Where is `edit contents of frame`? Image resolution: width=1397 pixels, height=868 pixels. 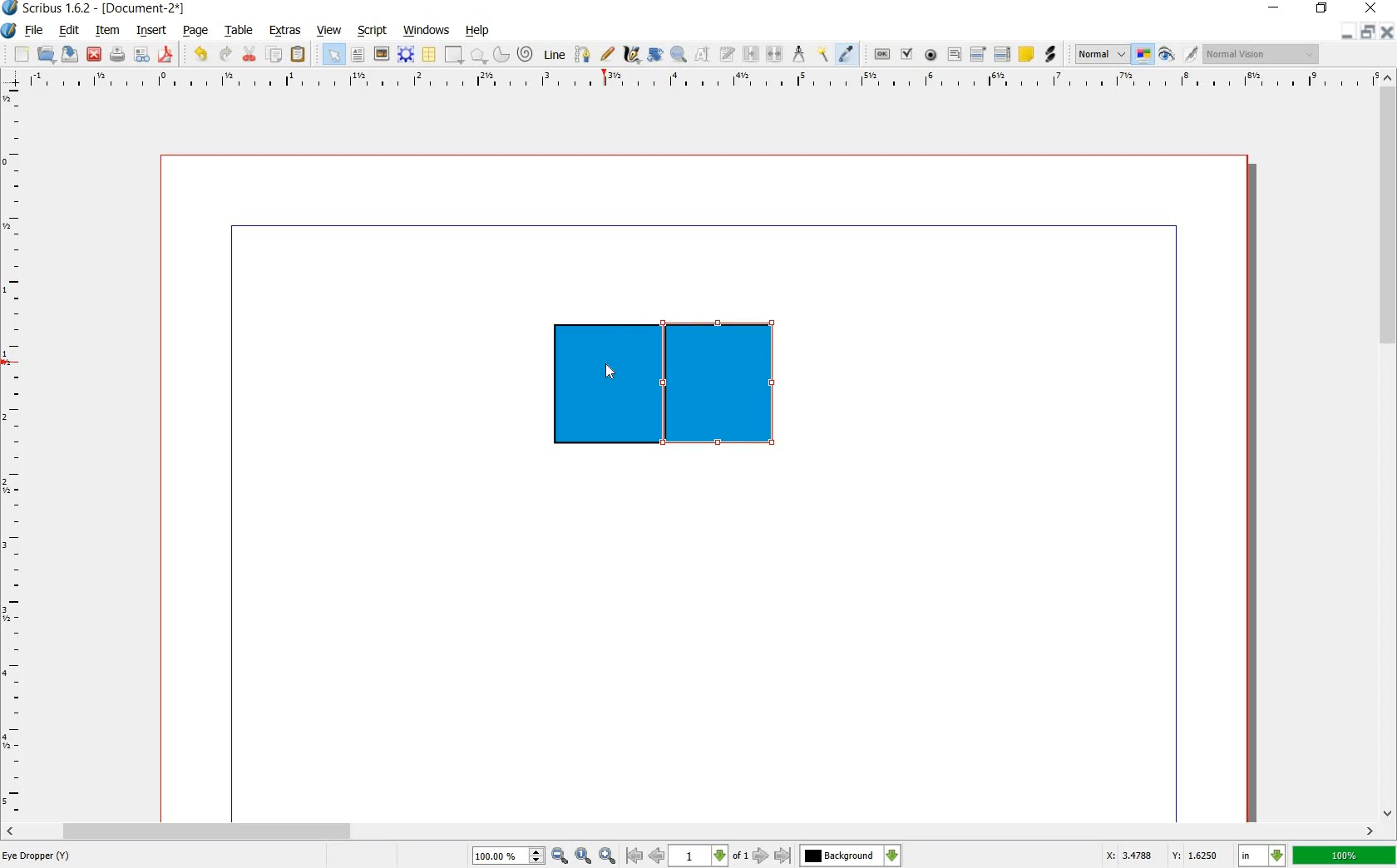
edit contents of frame is located at coordinates (704, 56).